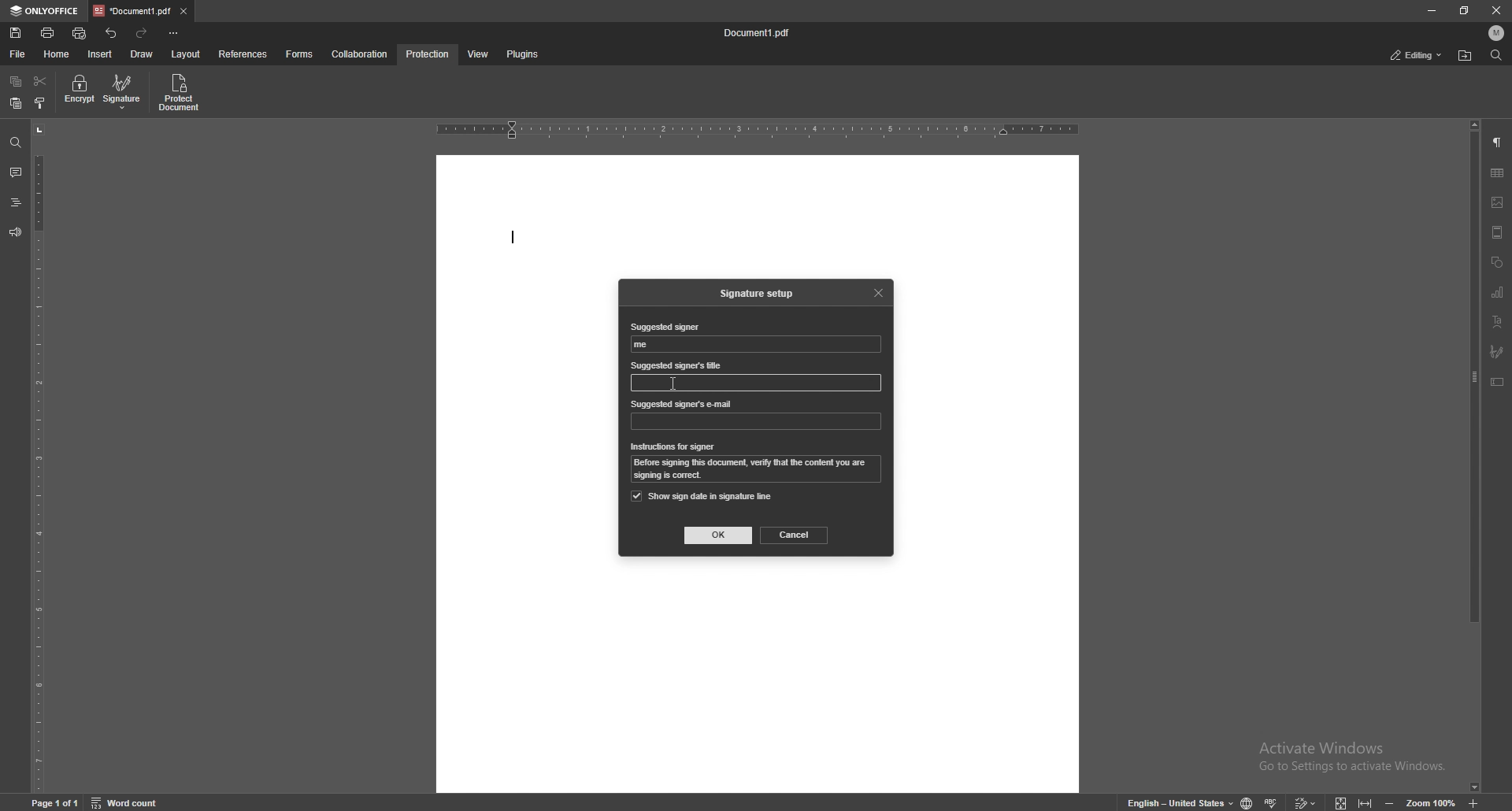 The height and width of the screenshot is (811, 1512). What do you see at coordinates (41, 103) in the screenshot?
I see `copy style` at bounding box center [41, 103].